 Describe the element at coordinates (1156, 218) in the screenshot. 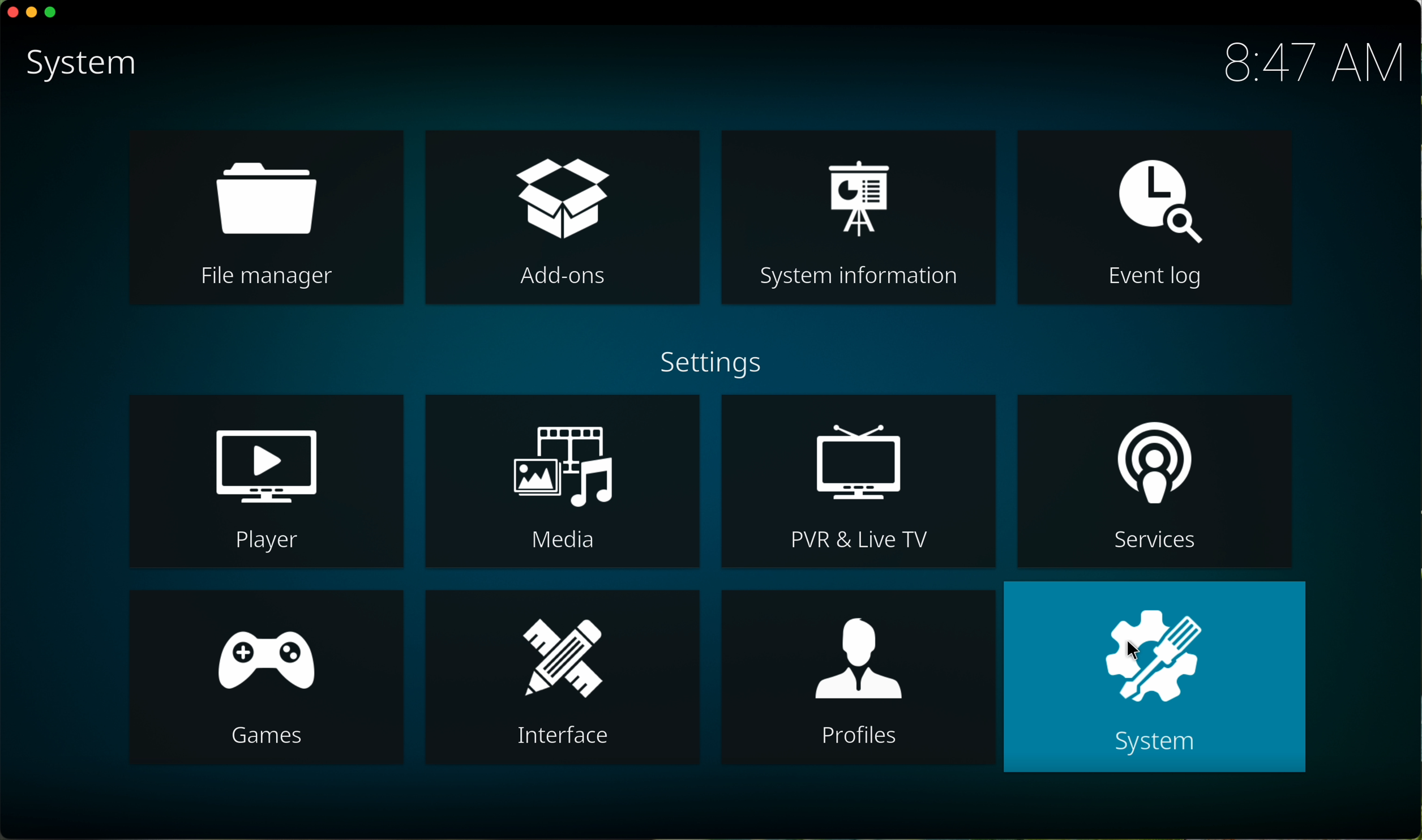

I see `event log` at that location.